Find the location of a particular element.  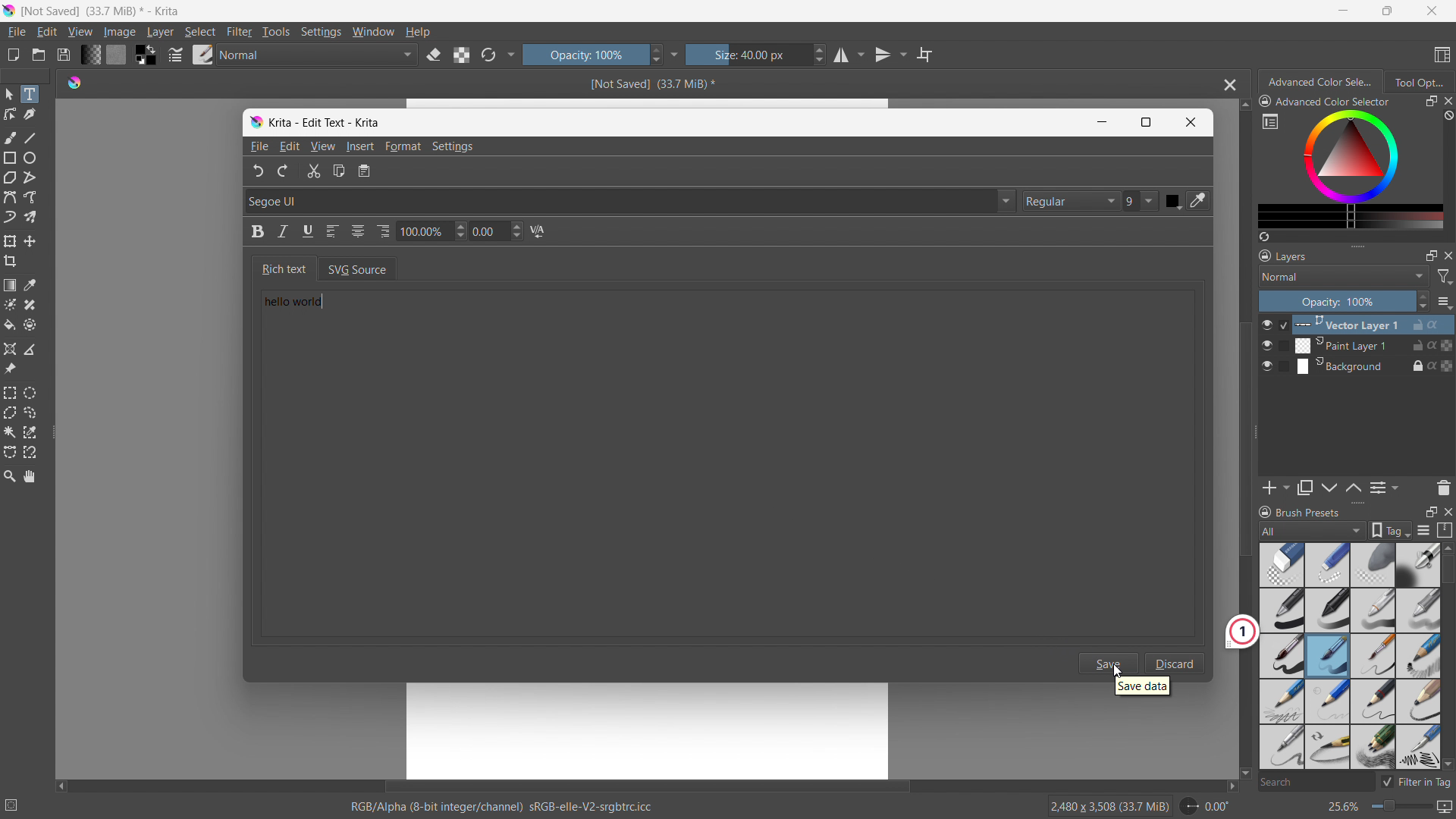

freehand brush tool is located at coordinates (11, 137).